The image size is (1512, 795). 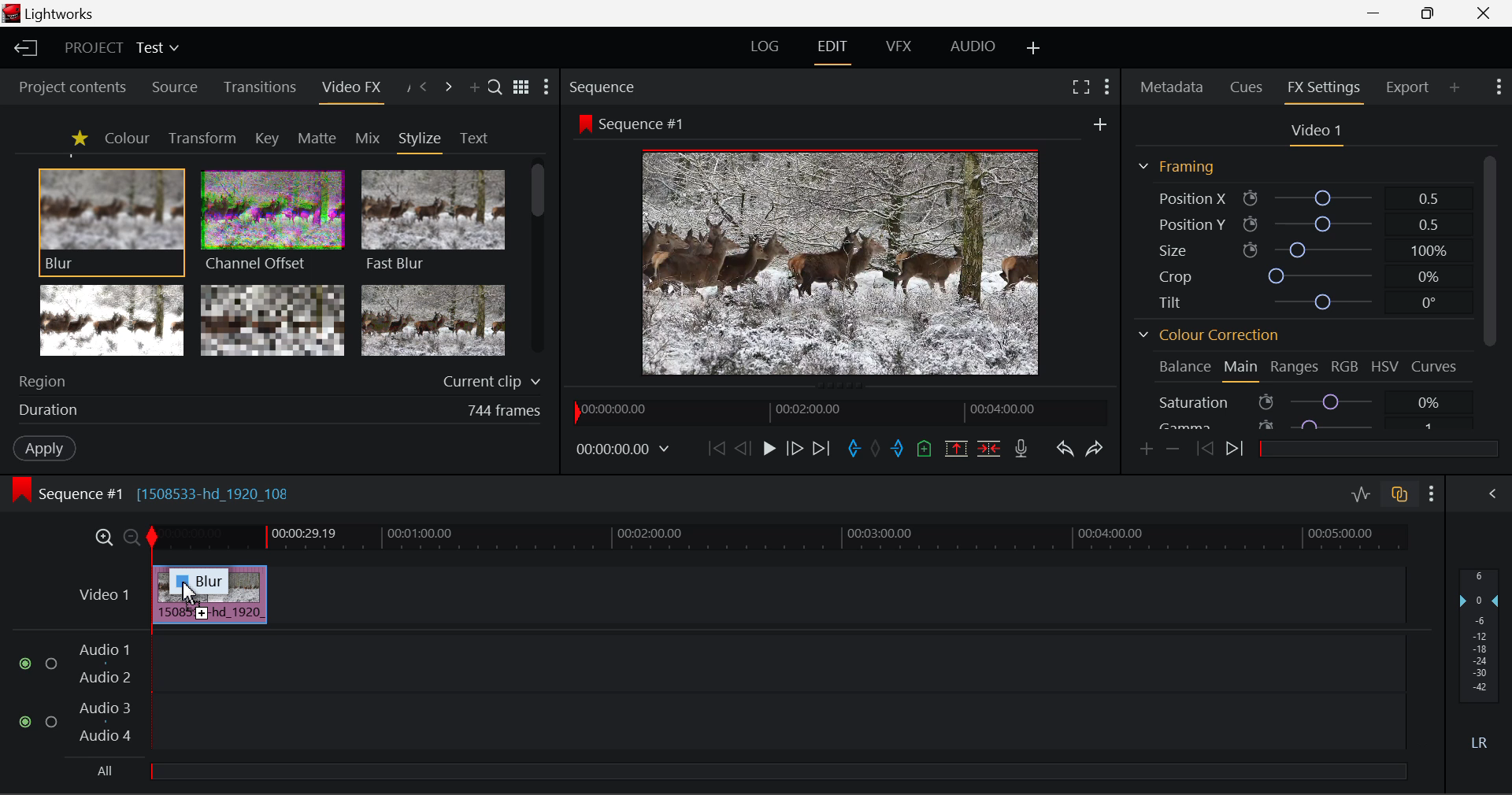 I want to click on Gamma, so click(x=1309, y=423).